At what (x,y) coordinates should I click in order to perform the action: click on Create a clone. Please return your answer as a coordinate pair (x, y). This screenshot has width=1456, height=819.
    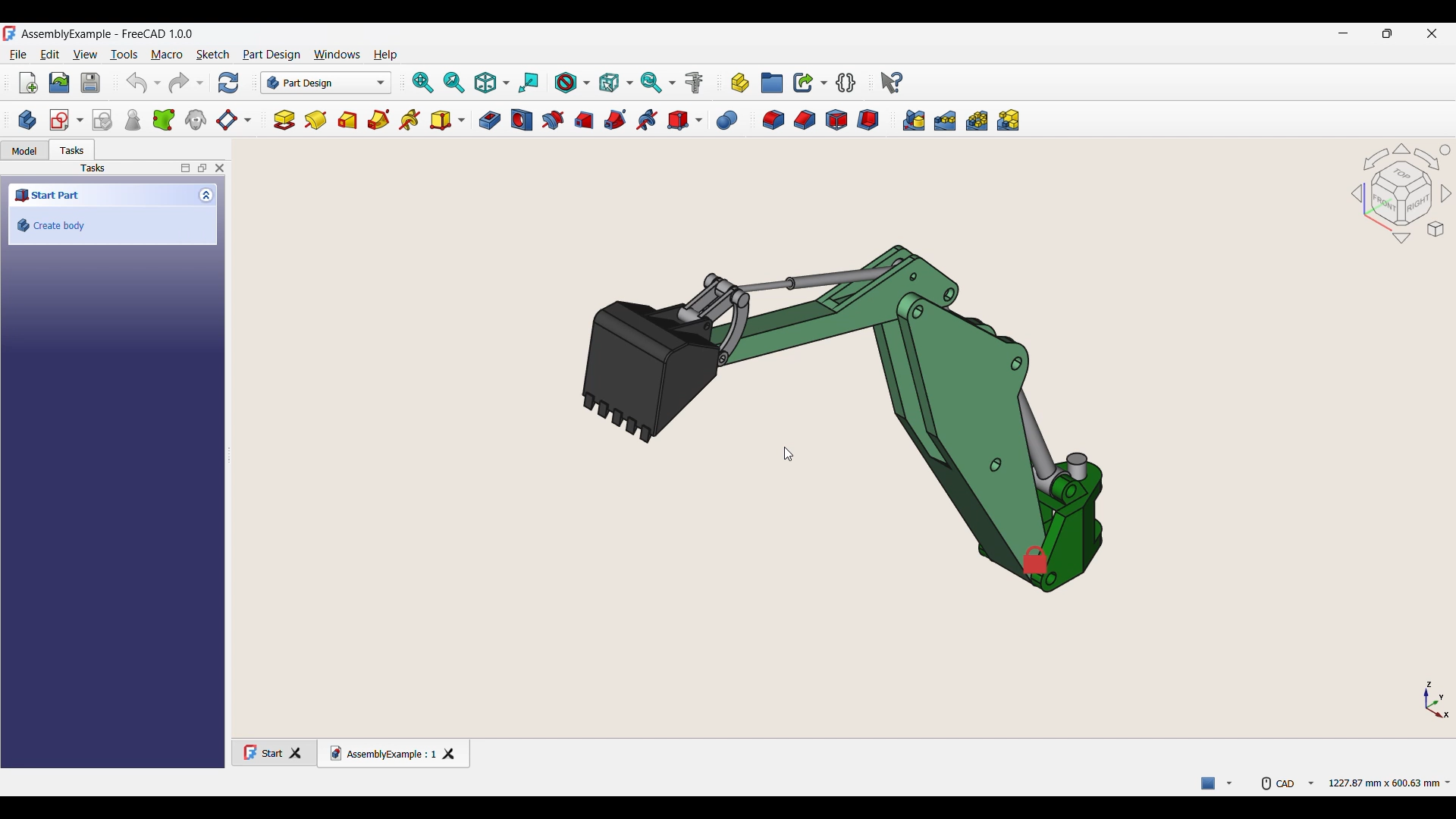
    Looking at the image, I should click on (196, 120).